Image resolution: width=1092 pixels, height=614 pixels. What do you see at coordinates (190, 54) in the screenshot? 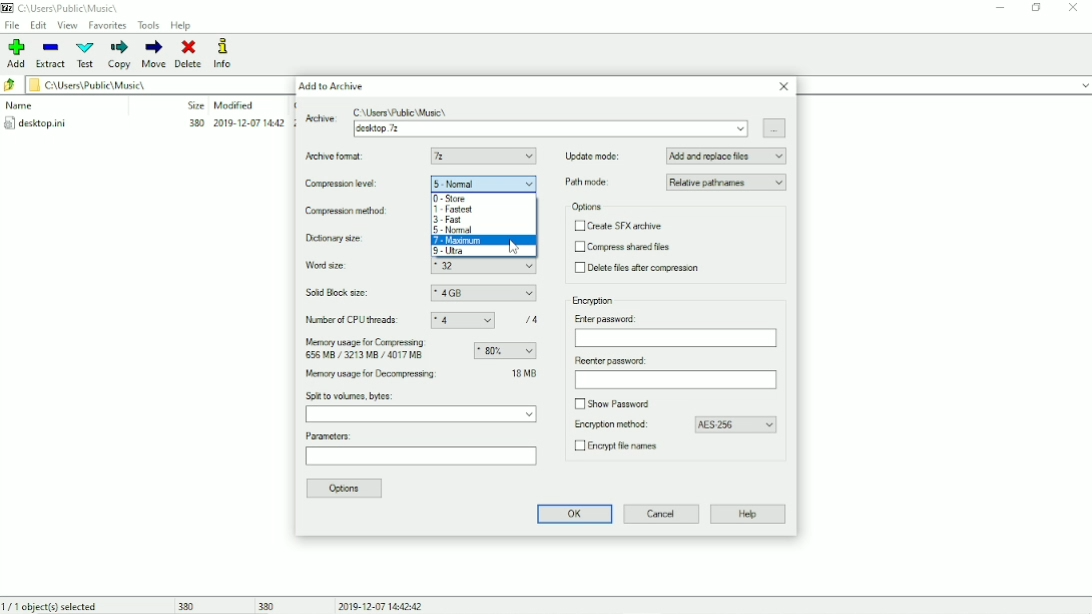
I see `Delete ` at bounding box center [190, 54].